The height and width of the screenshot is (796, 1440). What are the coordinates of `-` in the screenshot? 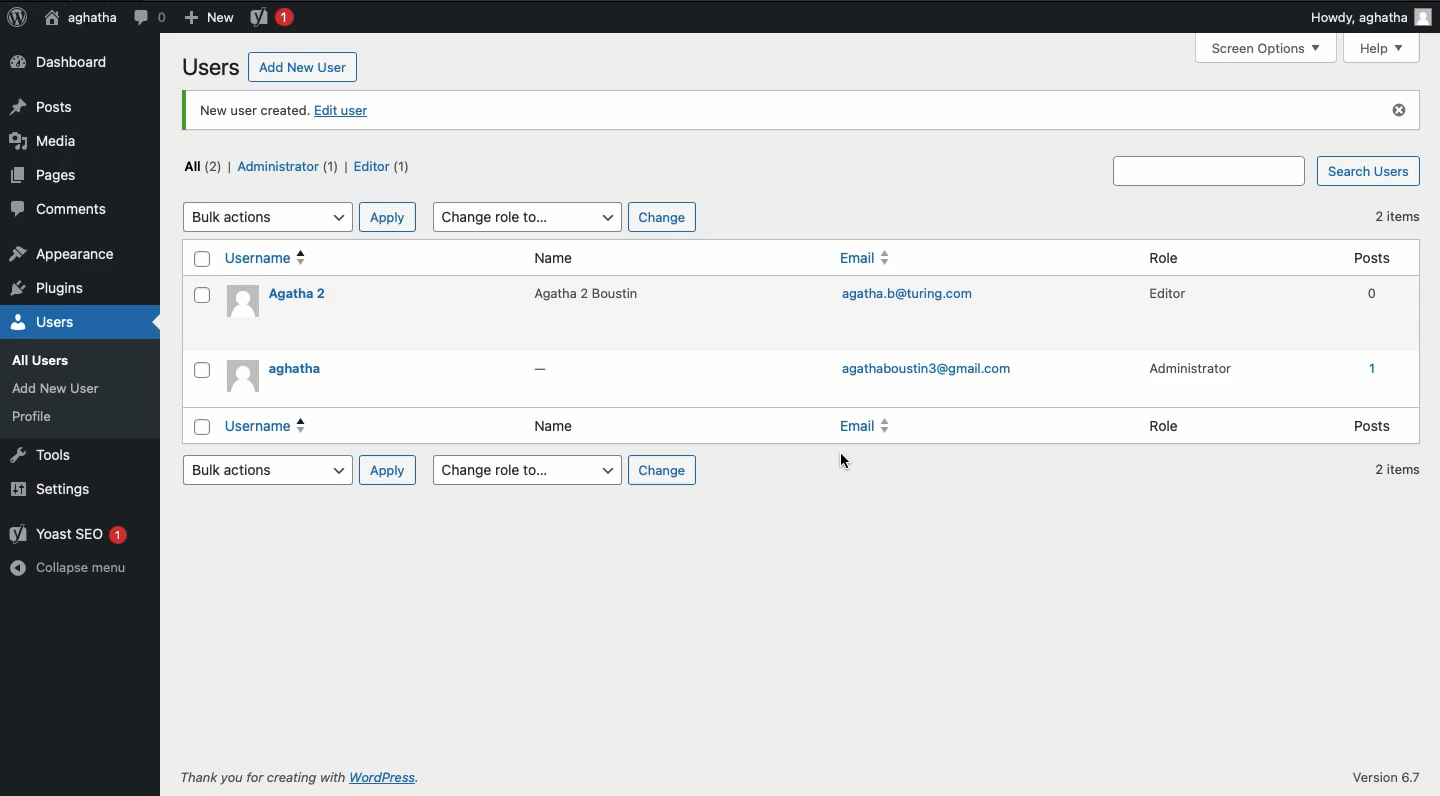 It's located at (540, 375).